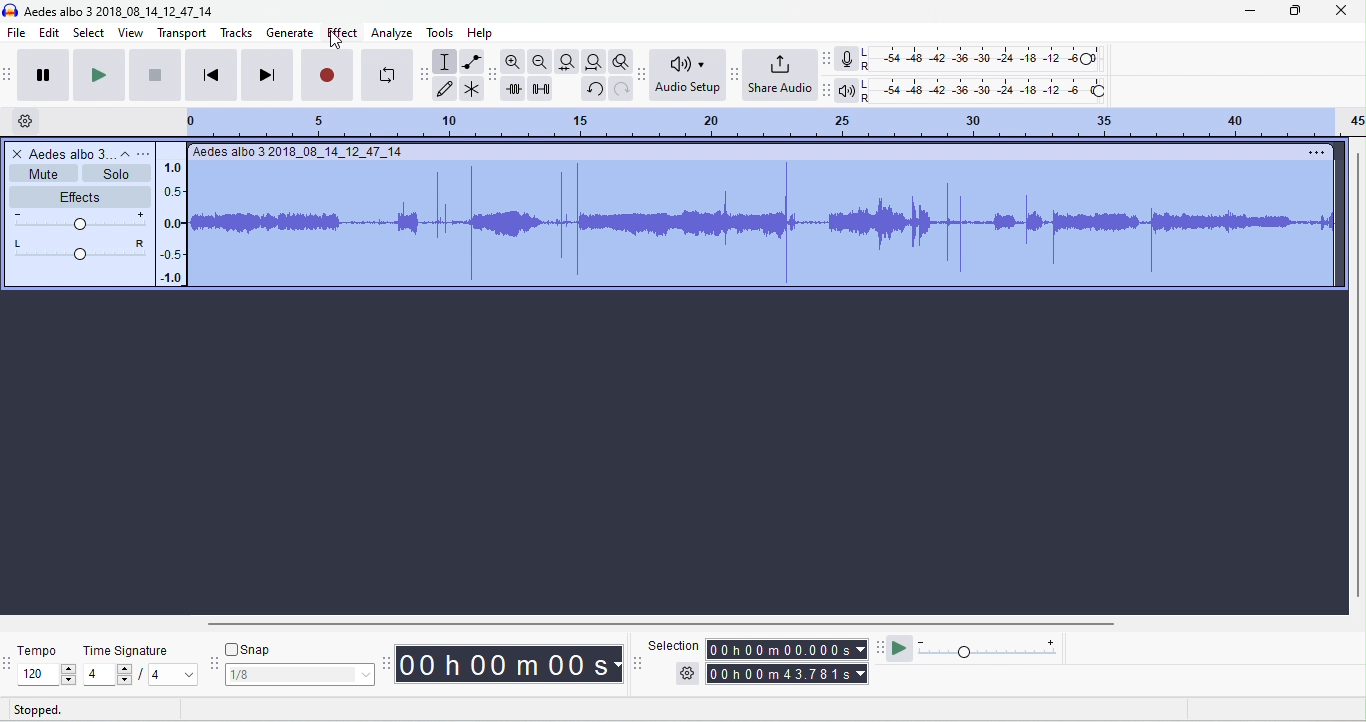 The image size is (1366, 722). Describe the element at coordinates (299, 673) in the screenshot. I see `select snapping` at that location.